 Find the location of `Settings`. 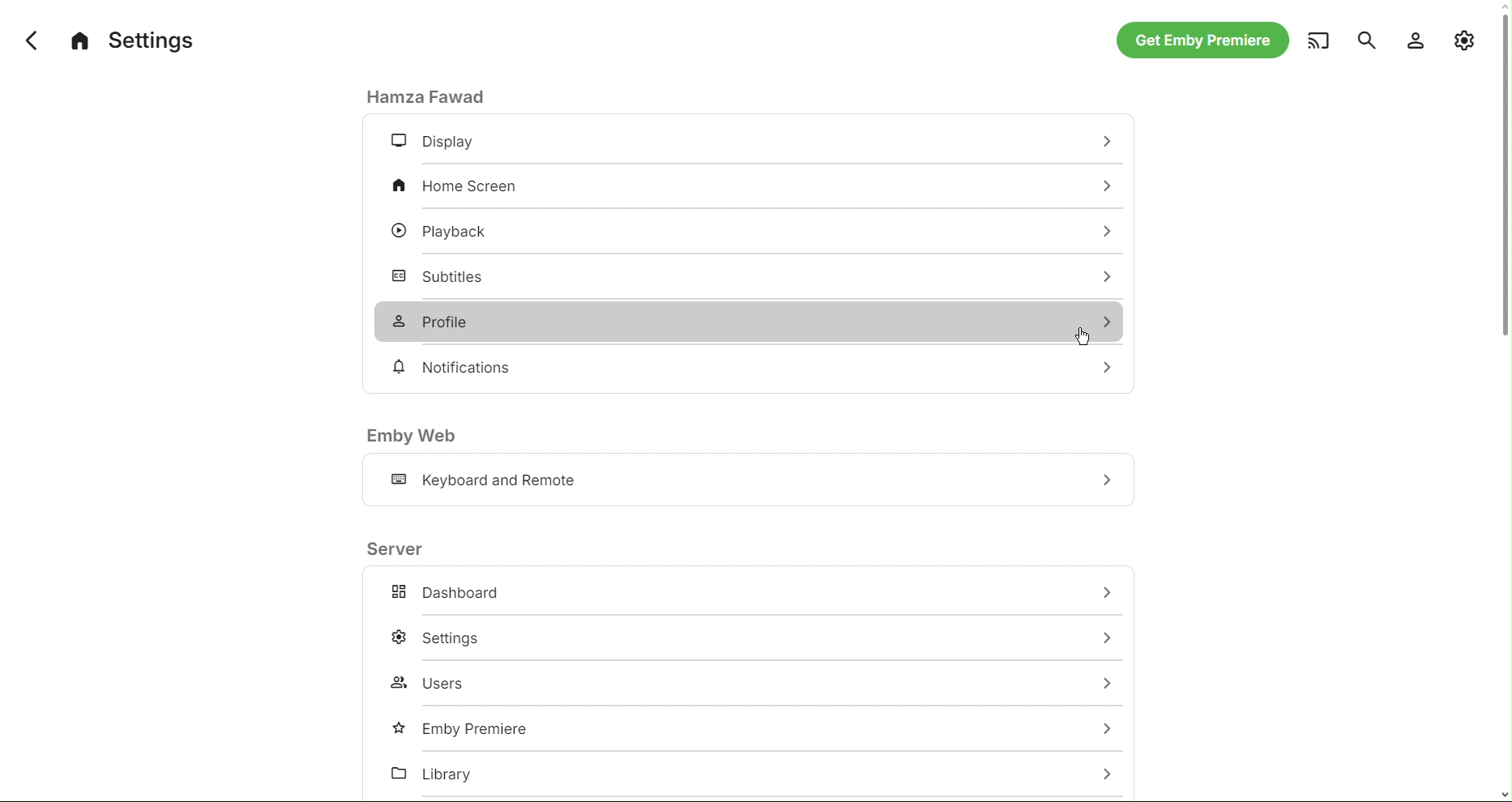

Settings is located at coordinates (1465, 41).